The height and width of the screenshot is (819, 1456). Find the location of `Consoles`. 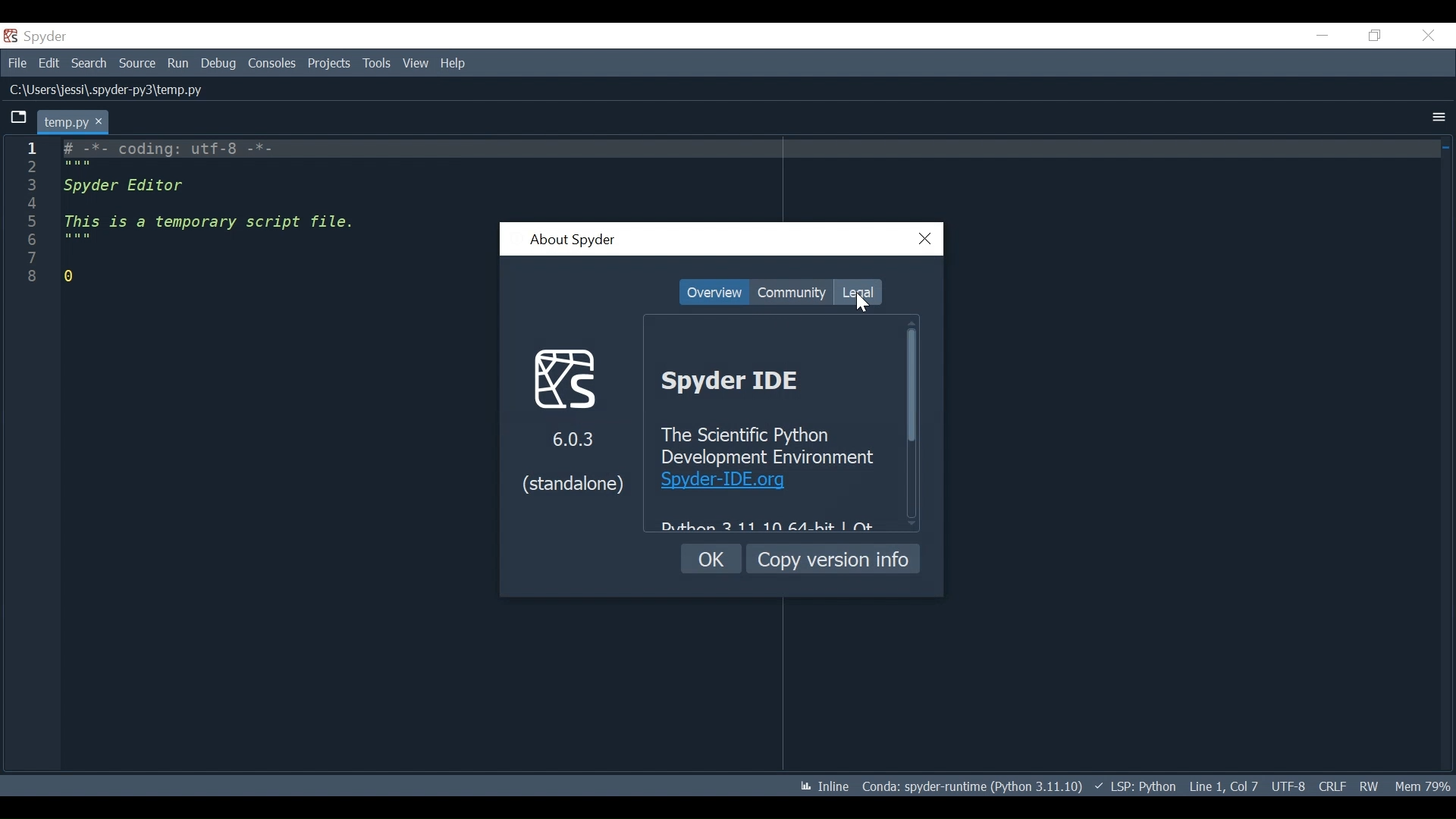

Consoles is located at coordinates (271, 64).